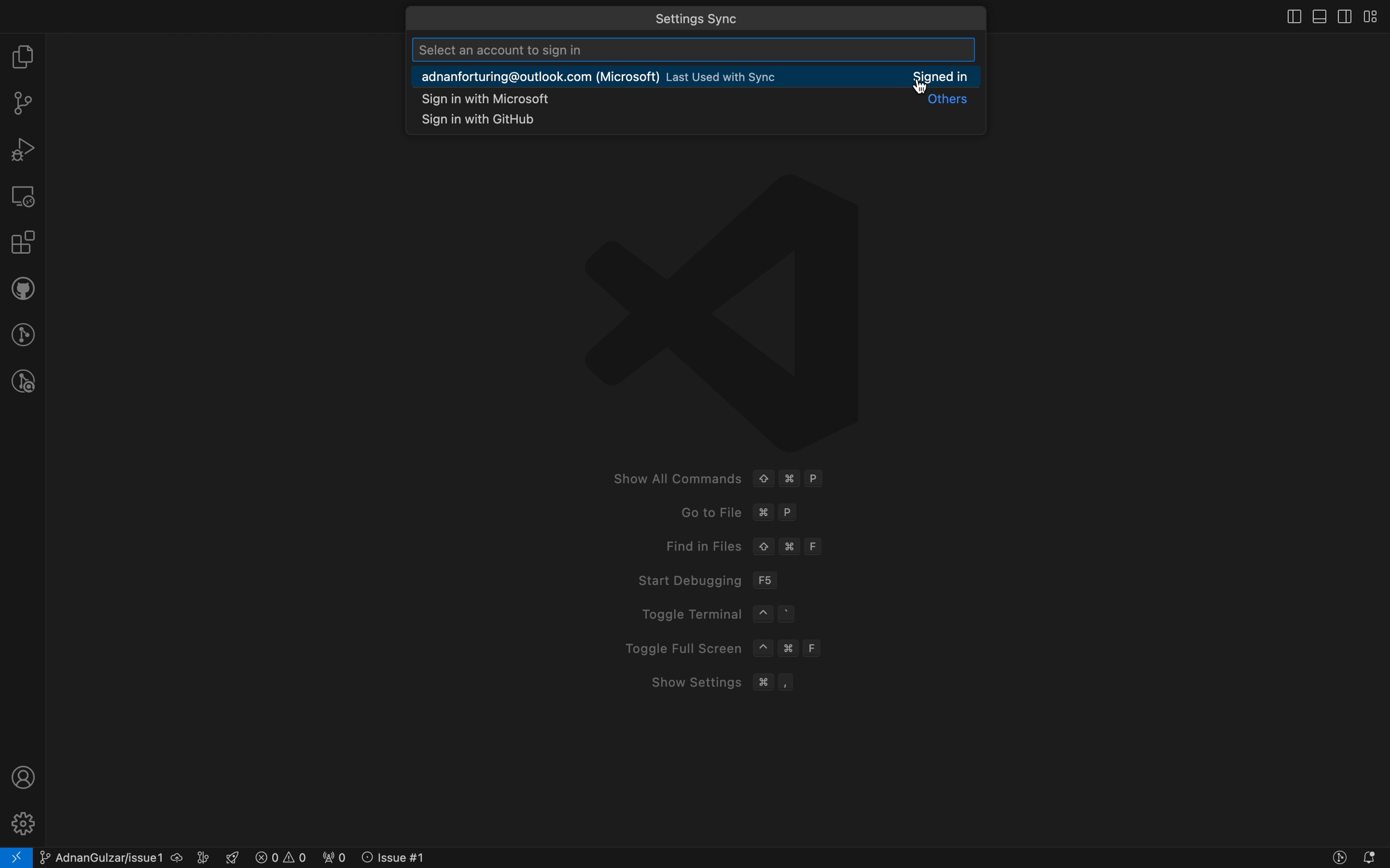 The height and width of the screenshot is (868, 1390). What do you see at coordinates (126, 857) in the screenshot?
I see `current branch and issue` at bounding box center [126, 857].